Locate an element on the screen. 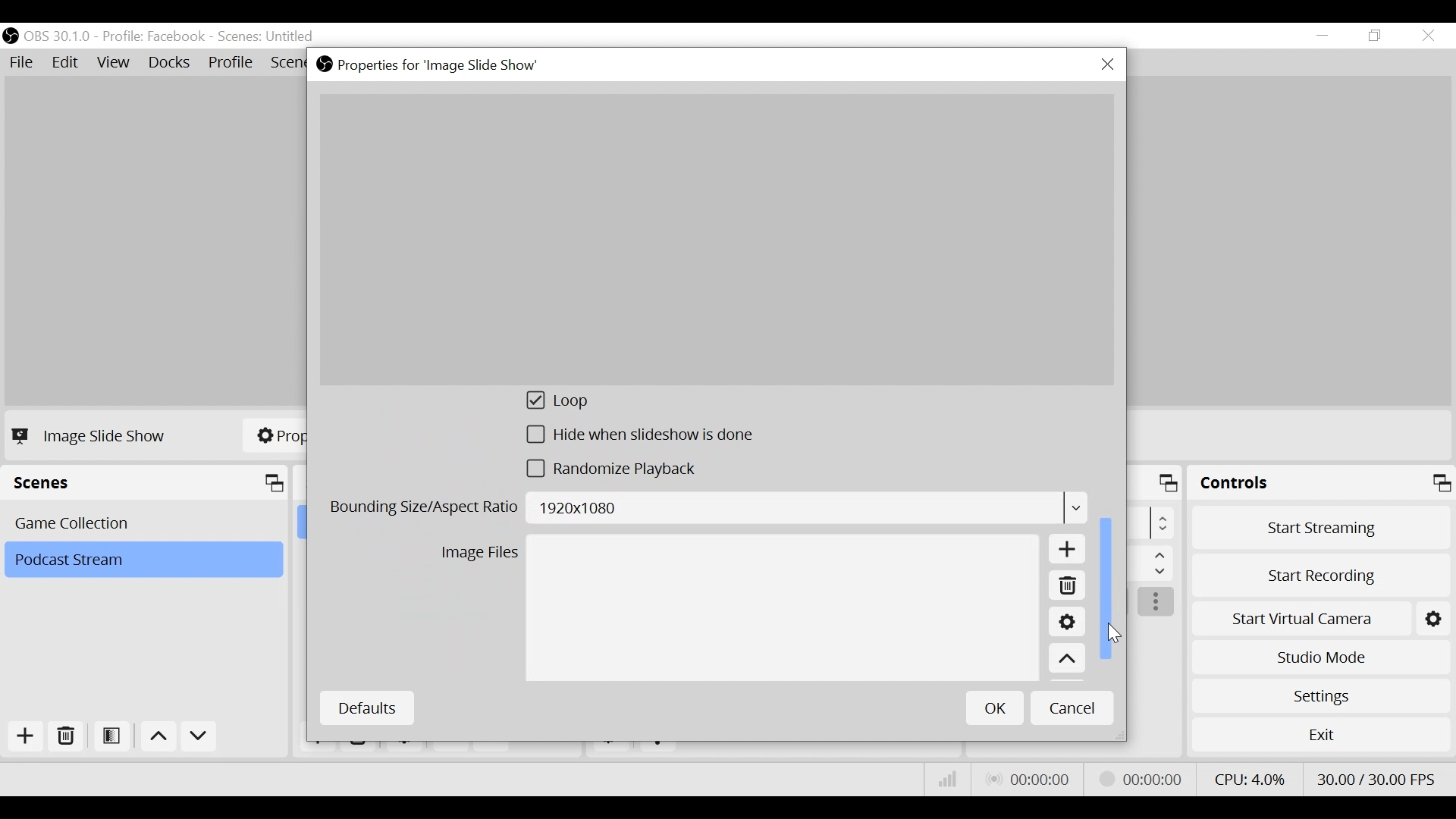 The width and height of the screenshot is (1456, 819). Settings is located at coordinates (1320, 695).